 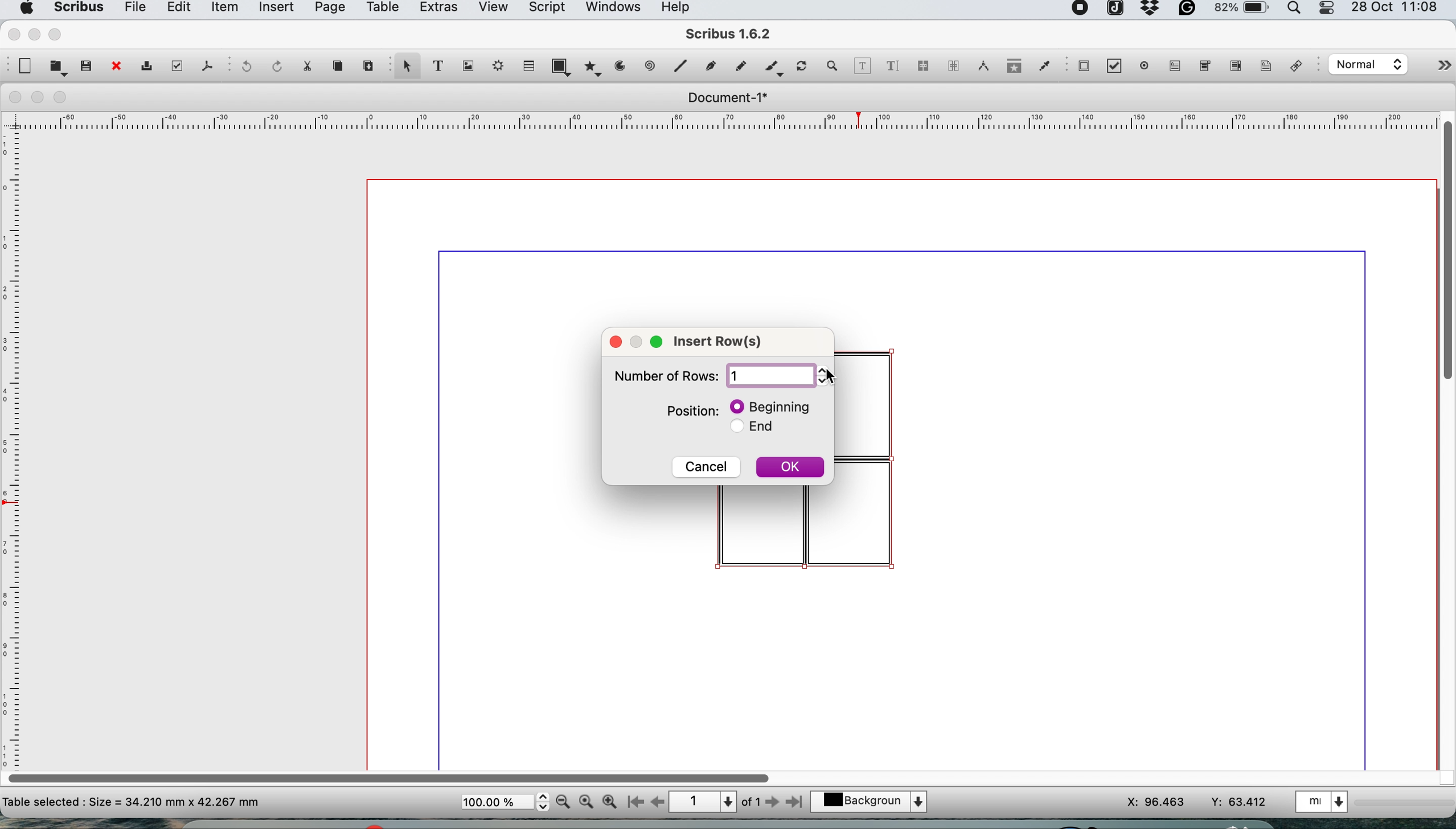 I want to click on edit, so click(x=177, y=9).